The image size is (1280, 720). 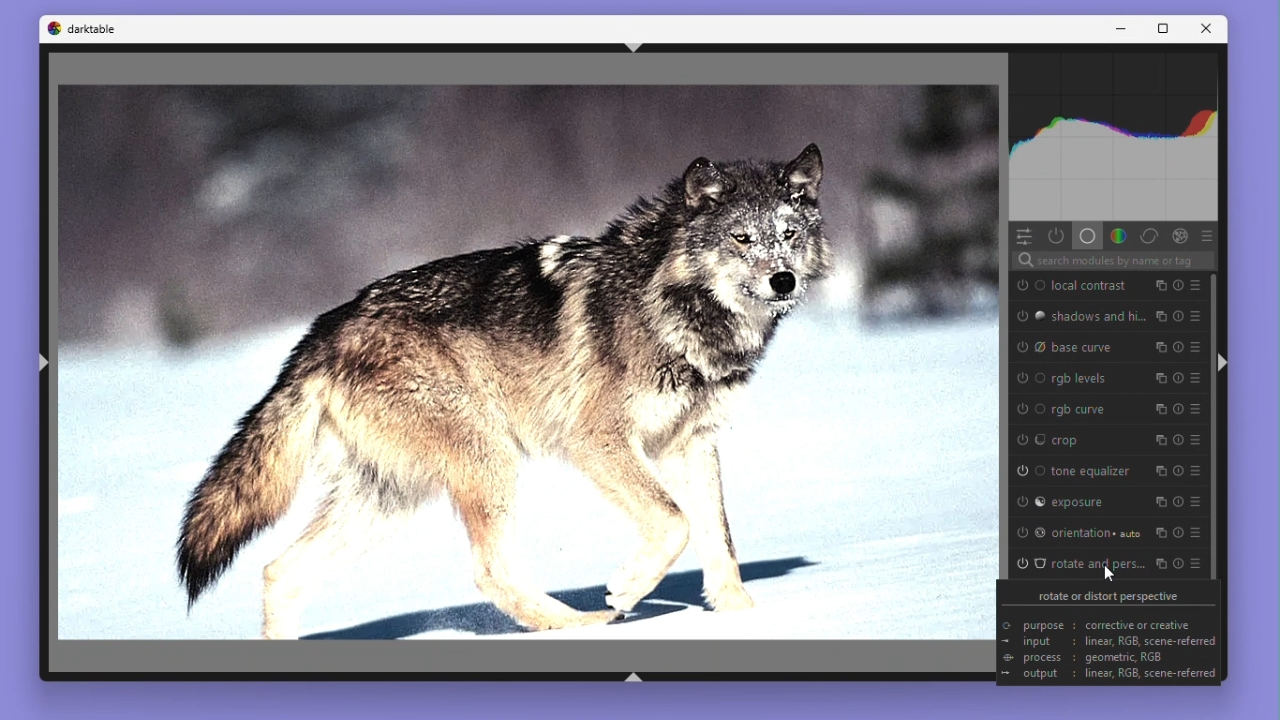 What do you see at coordinates (1110, 287) in the screenshot?
I see `Local contrast` at bounding box center [1110, 287].